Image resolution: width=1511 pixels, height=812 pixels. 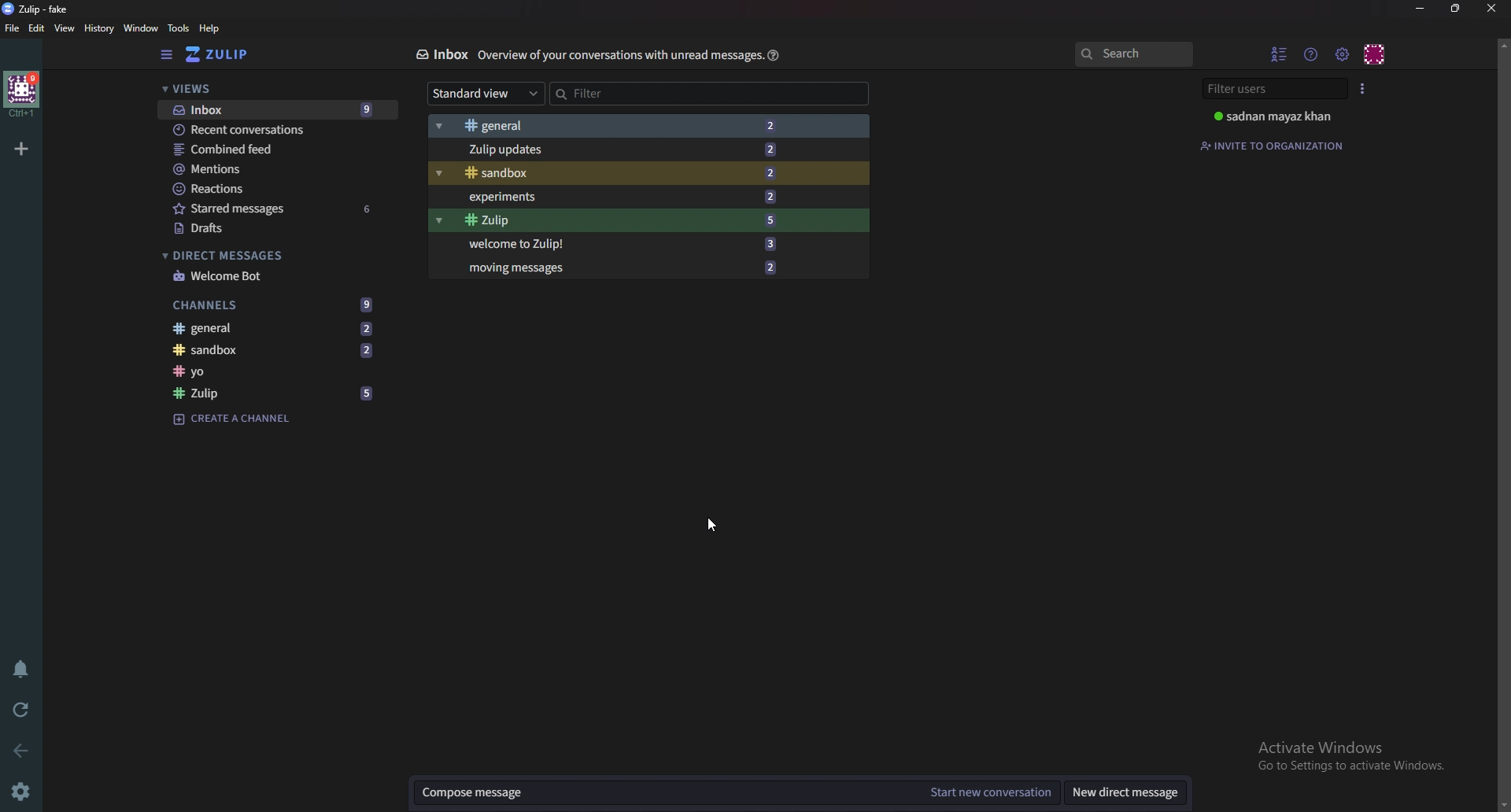 I want to click on close, so click(x=1494, y=9).